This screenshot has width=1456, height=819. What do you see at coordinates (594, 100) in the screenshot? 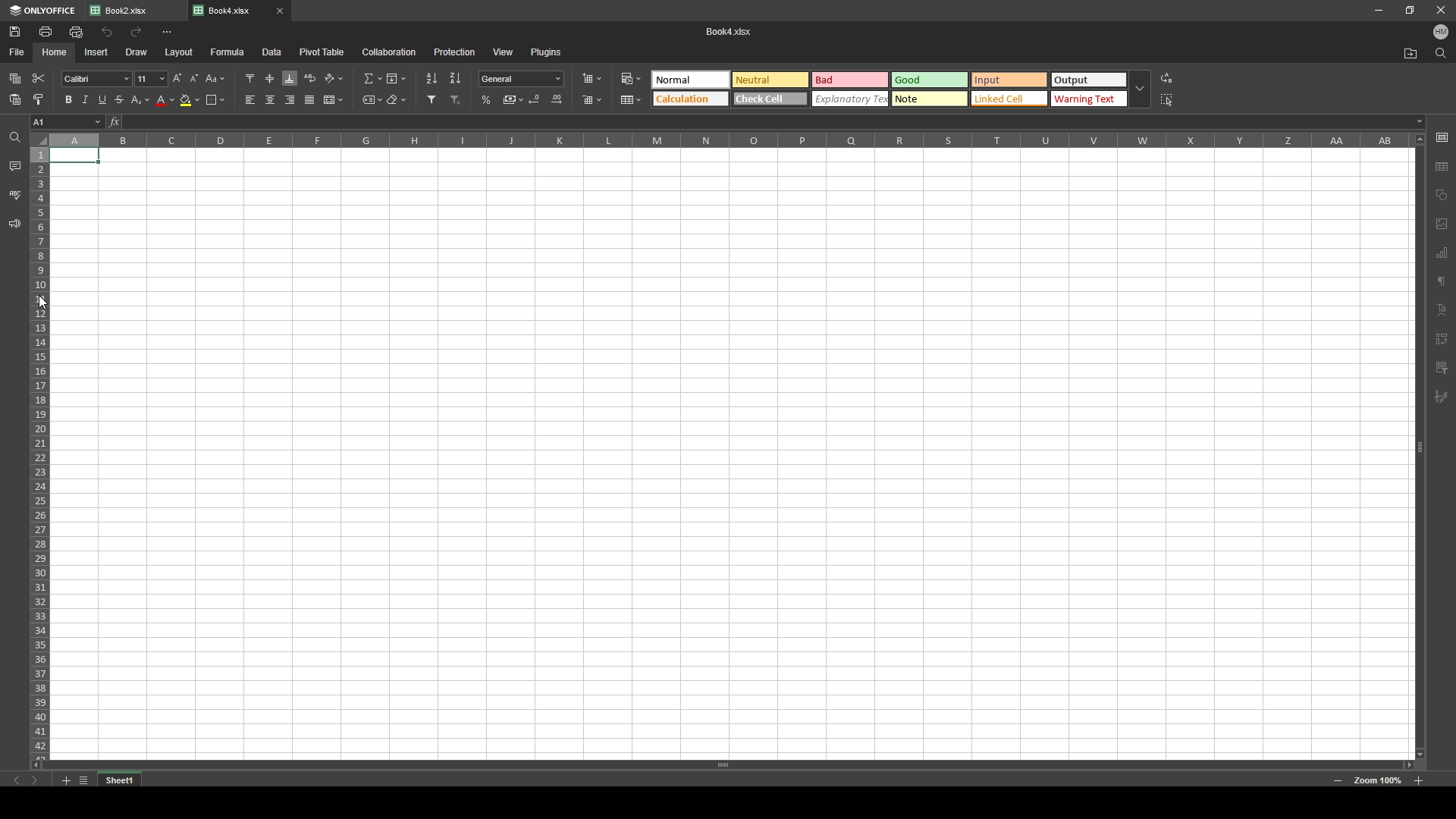
I see `delete cells` at bounding box center [594, 100].